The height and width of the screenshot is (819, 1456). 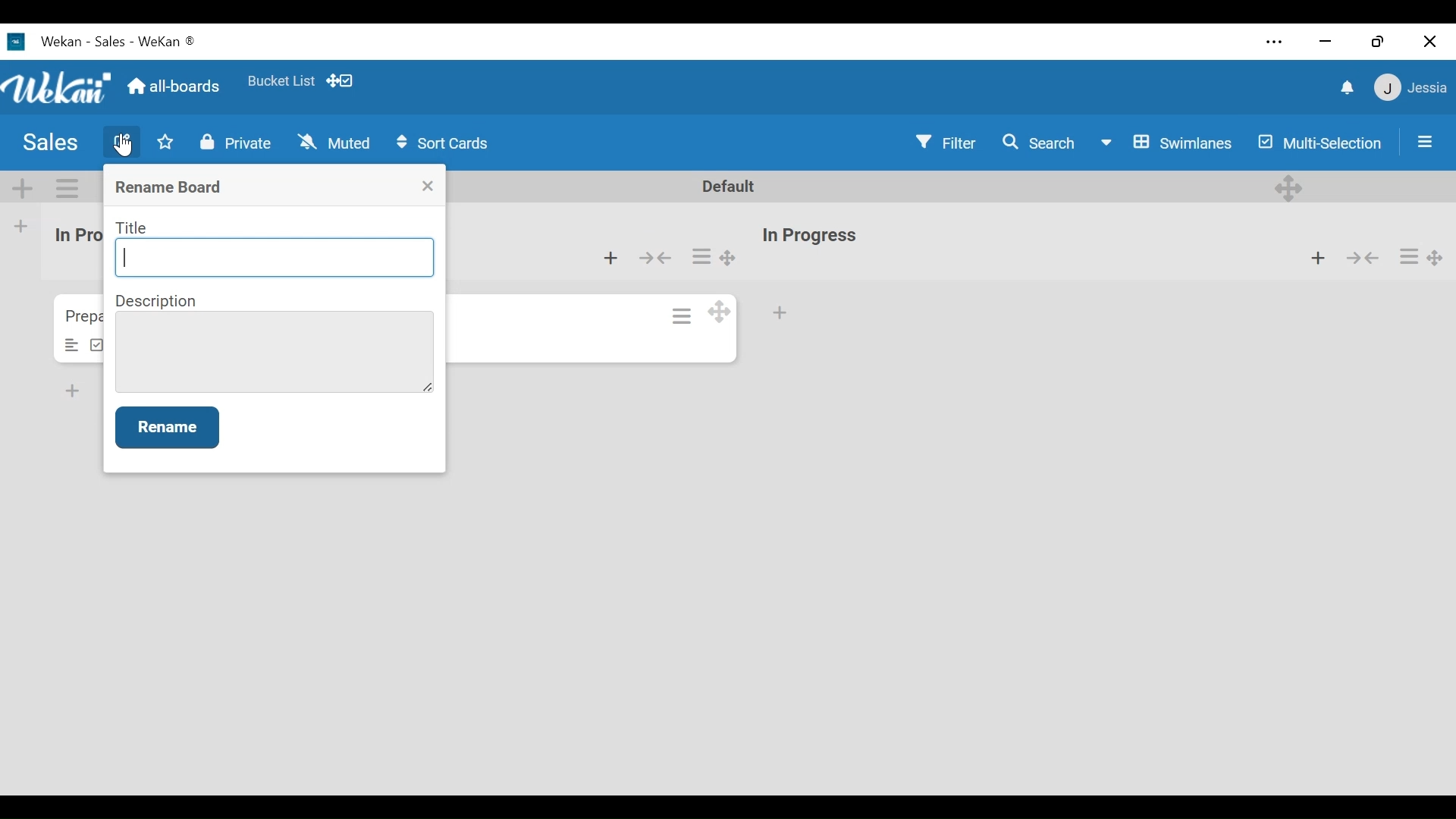 I want to click on settings and more, so click(x=1272, y=42).